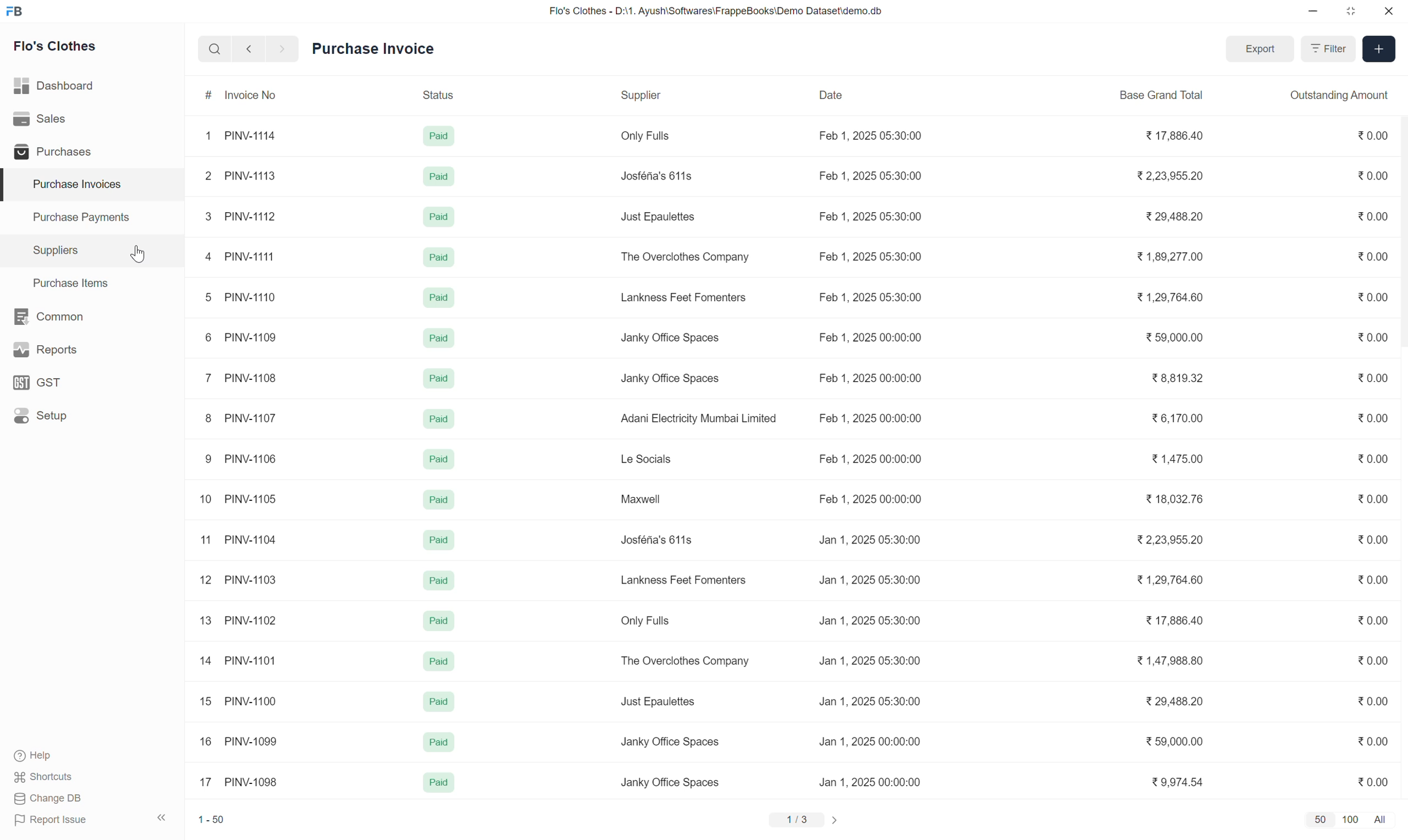 The width and height of the screenshot is (1408, 840). I want to click on PINV-1098, so click(253, 782).